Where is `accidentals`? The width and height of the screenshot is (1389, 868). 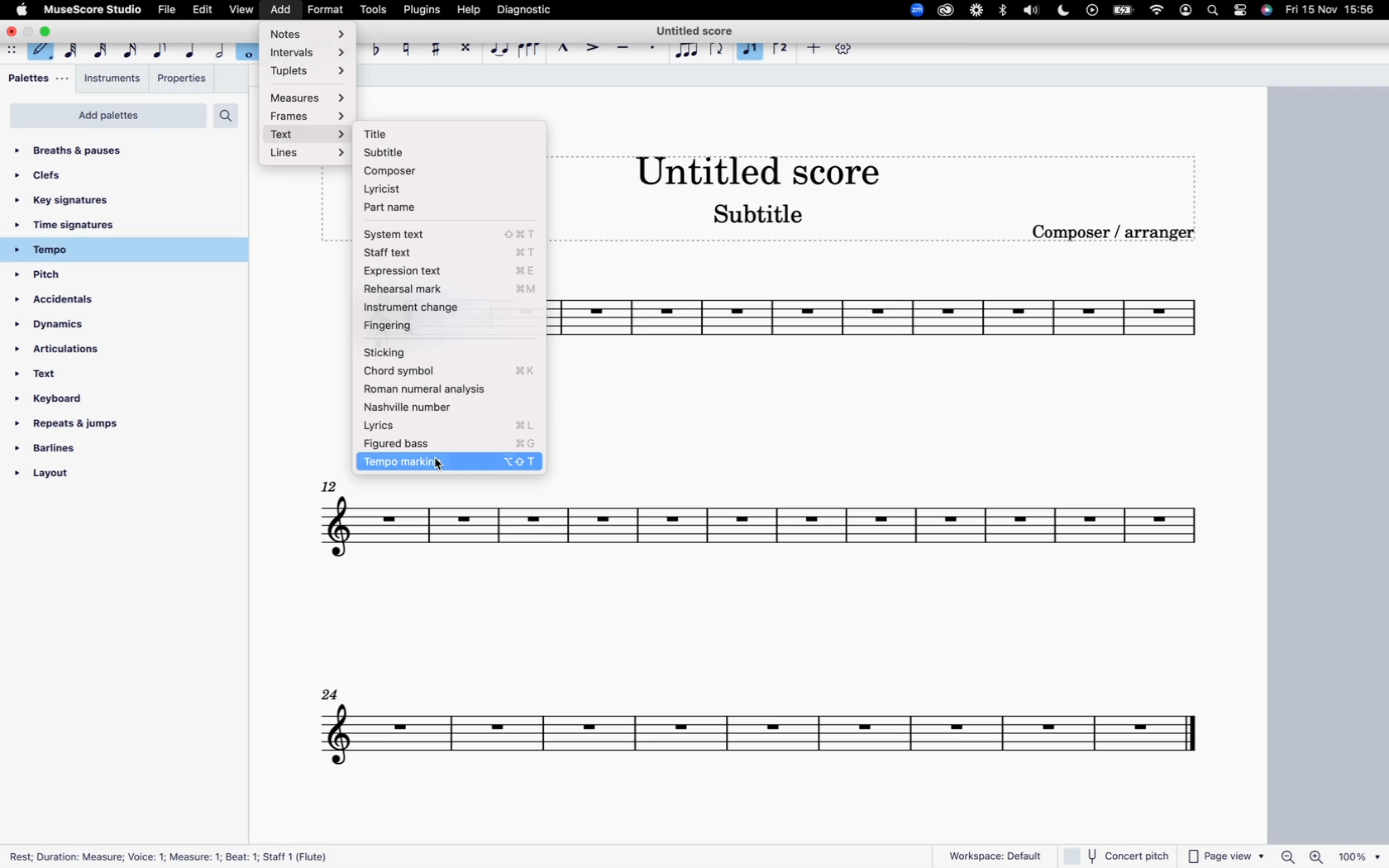
accidentals is located at coordinates (65, 299).